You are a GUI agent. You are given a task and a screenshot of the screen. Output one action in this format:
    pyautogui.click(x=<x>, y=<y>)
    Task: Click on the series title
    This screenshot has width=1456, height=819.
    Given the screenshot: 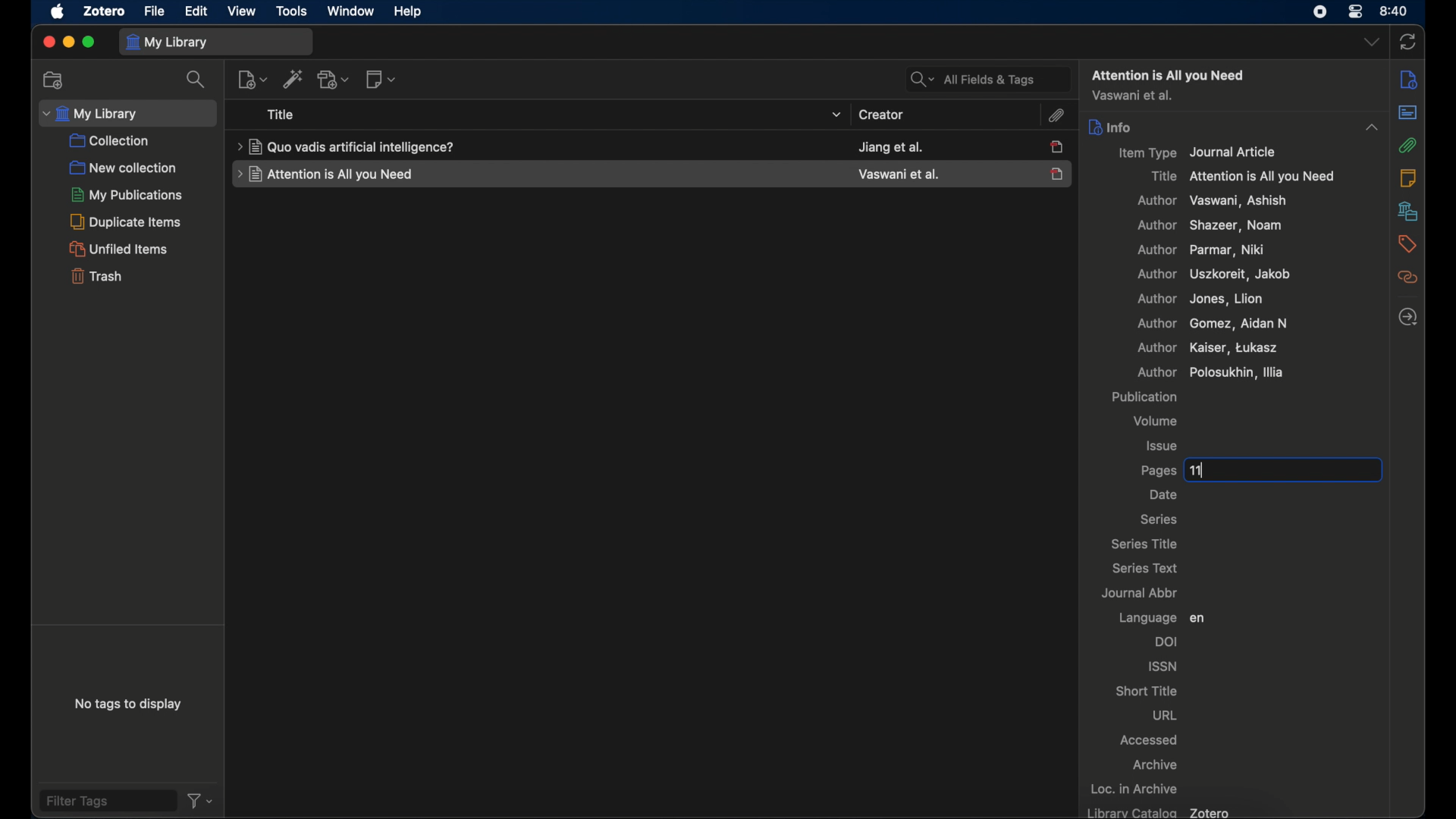 What is the action you would take?
    pyautogui.click(x=1144, y=543)
    